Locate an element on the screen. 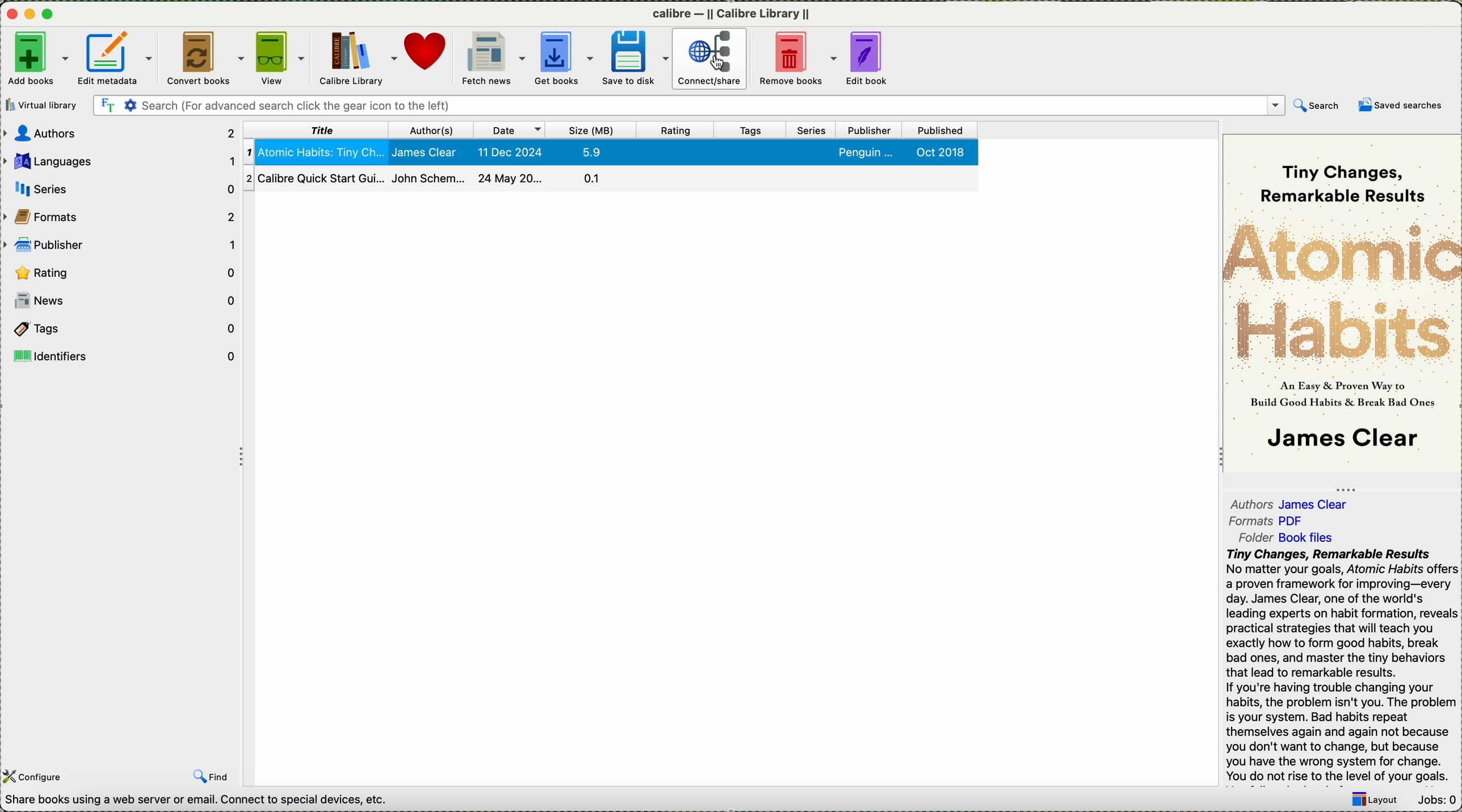  series is located at coordinates (119, 188).